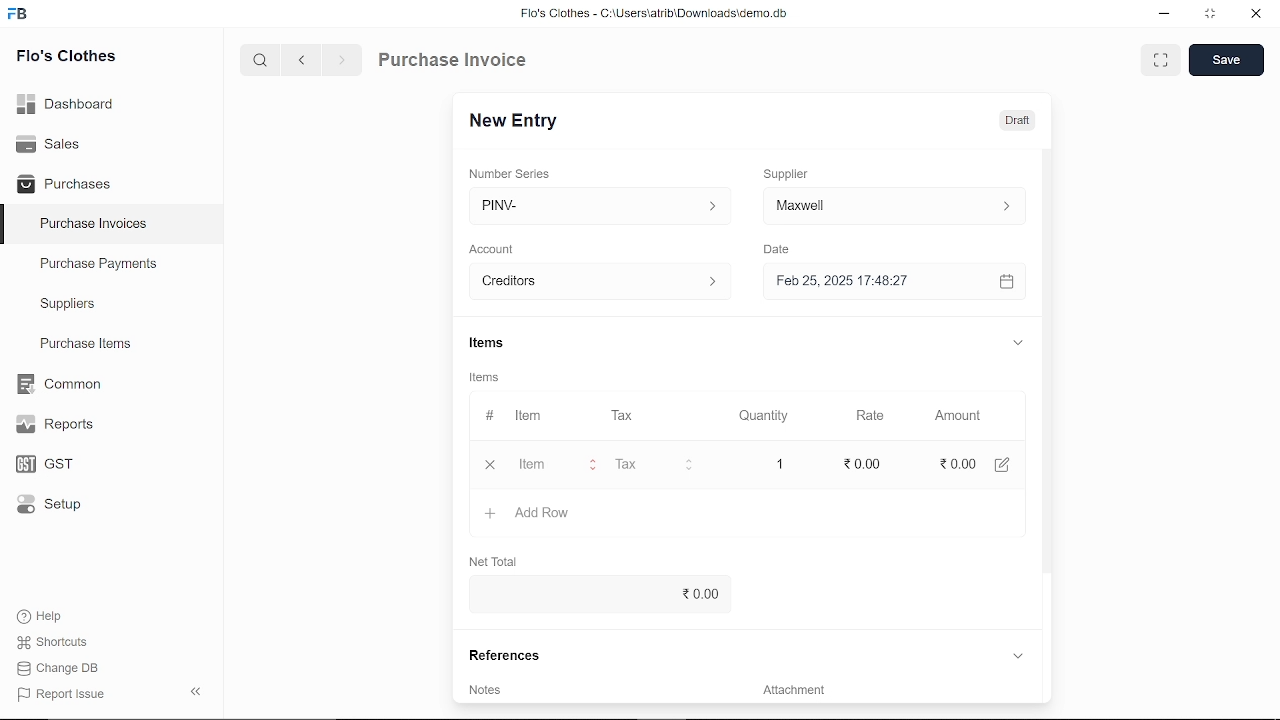 The height and width of the screenshot is (720, 1280). Describe the element at coordinates (502, 343) in the screenshot. I see `Items` at that location.